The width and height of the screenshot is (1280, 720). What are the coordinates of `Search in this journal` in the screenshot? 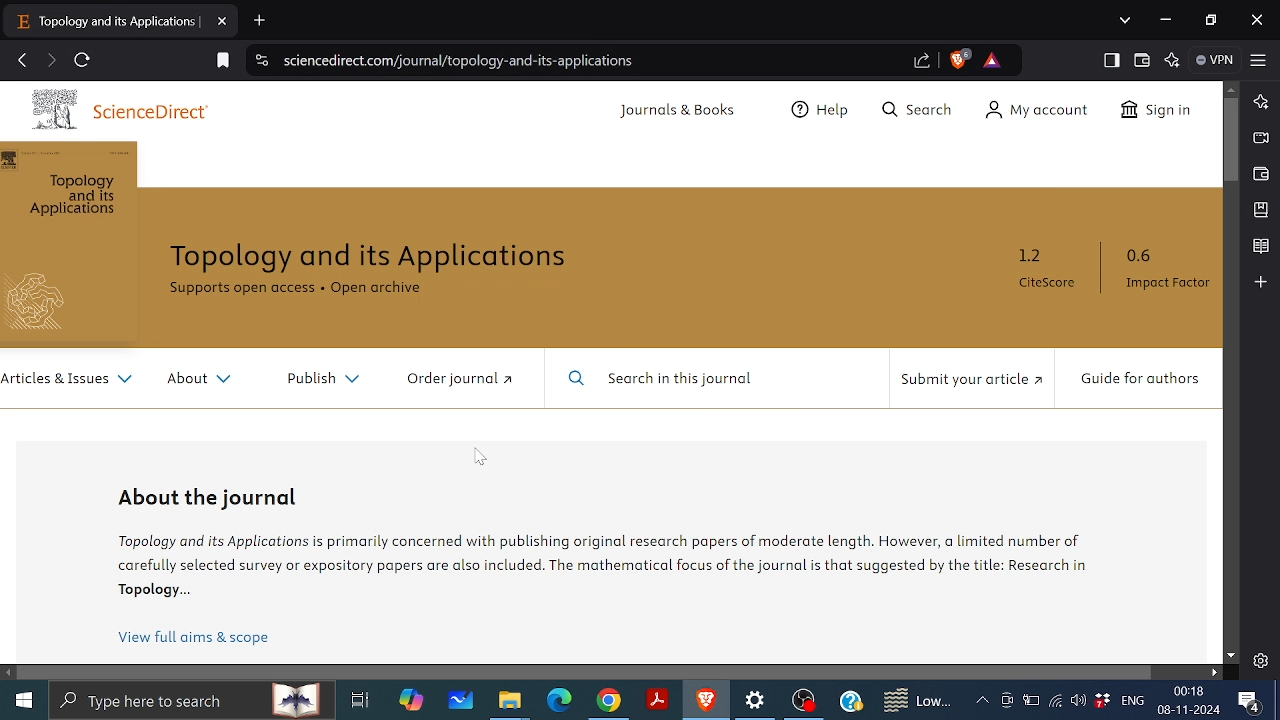 It's located at (660, 380).